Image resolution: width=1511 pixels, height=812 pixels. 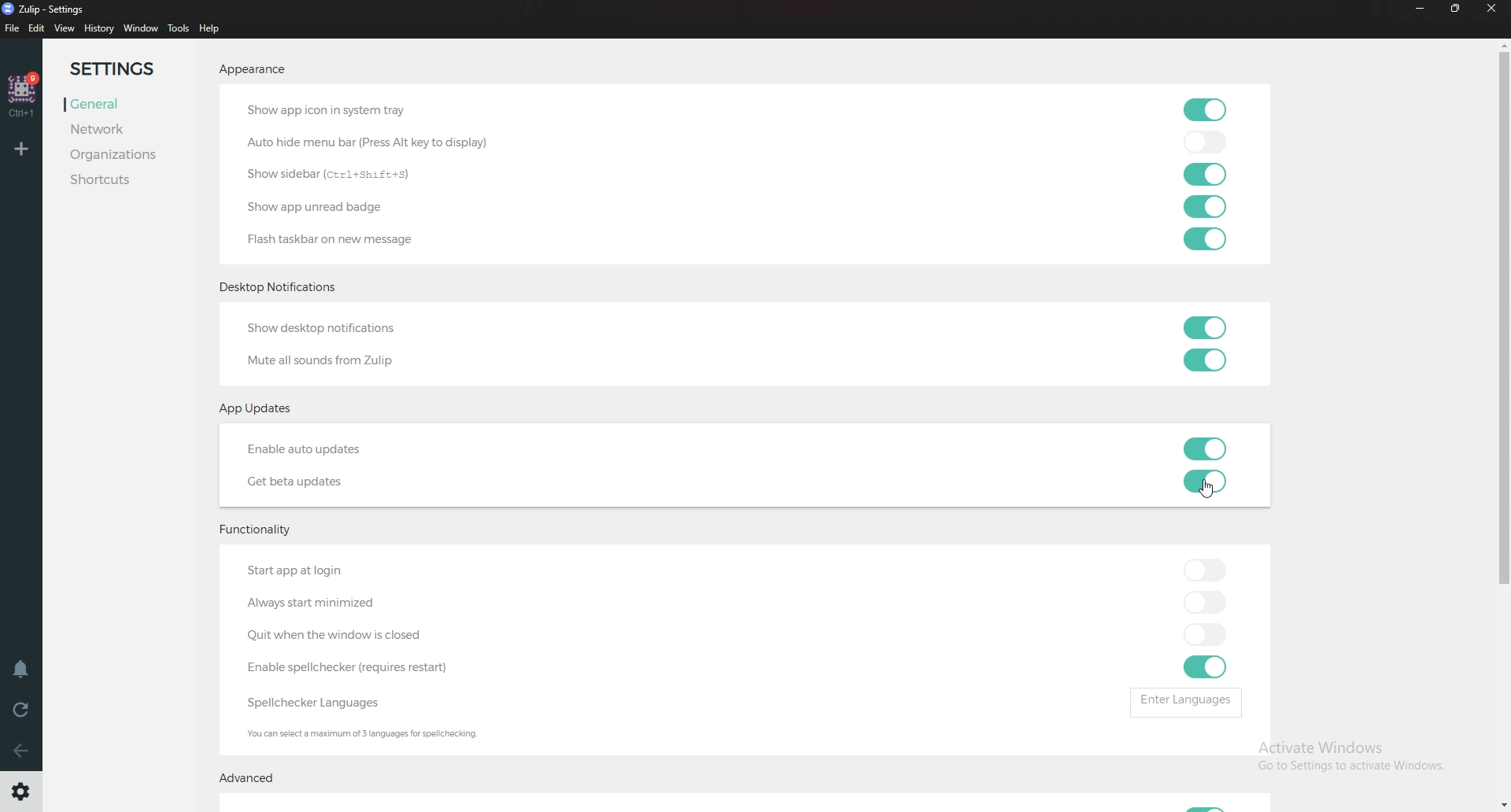 I want to click on toggle, so click(x=1204, y=329).